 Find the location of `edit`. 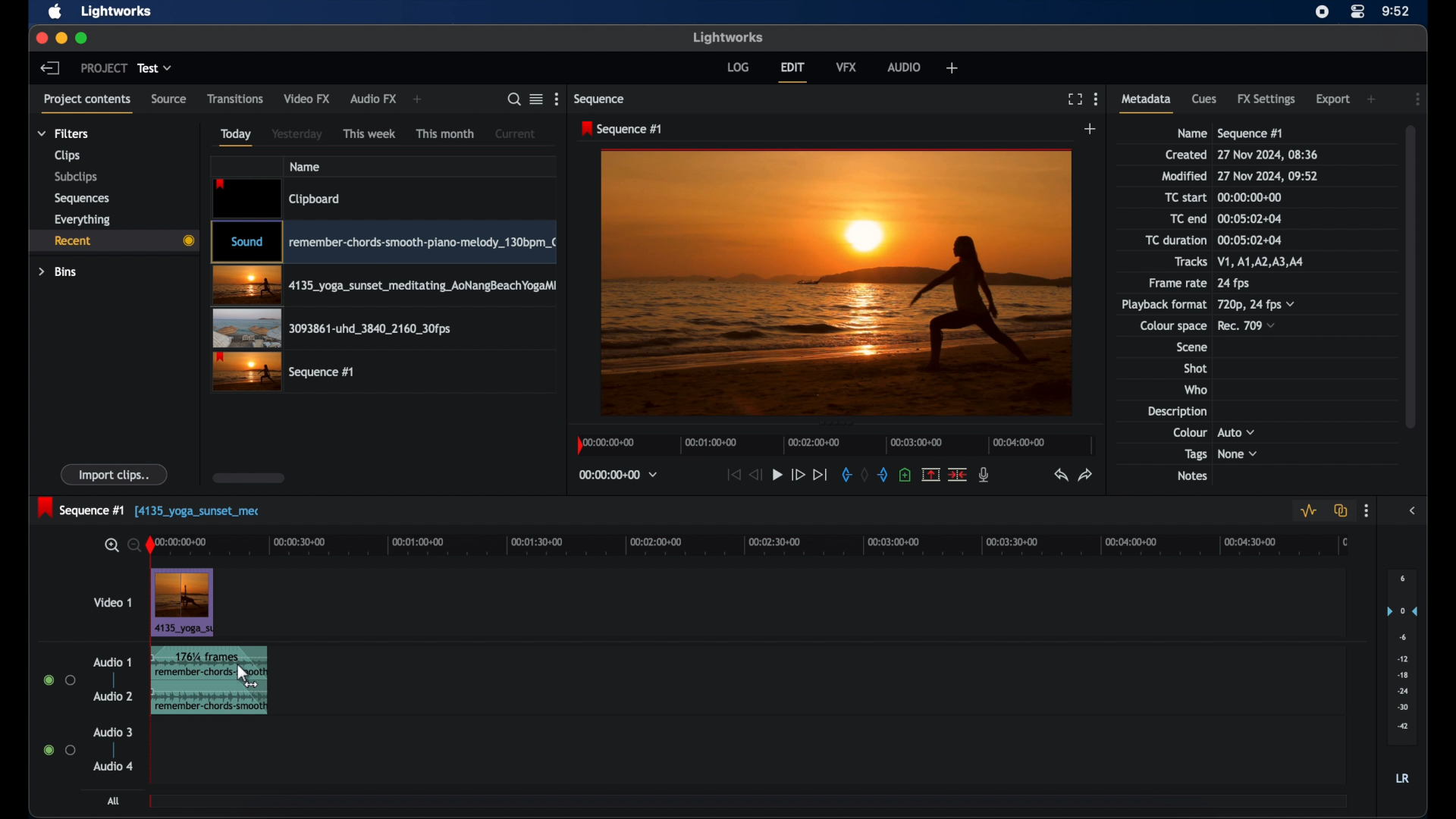

edit is located at coordinates (795, 71).